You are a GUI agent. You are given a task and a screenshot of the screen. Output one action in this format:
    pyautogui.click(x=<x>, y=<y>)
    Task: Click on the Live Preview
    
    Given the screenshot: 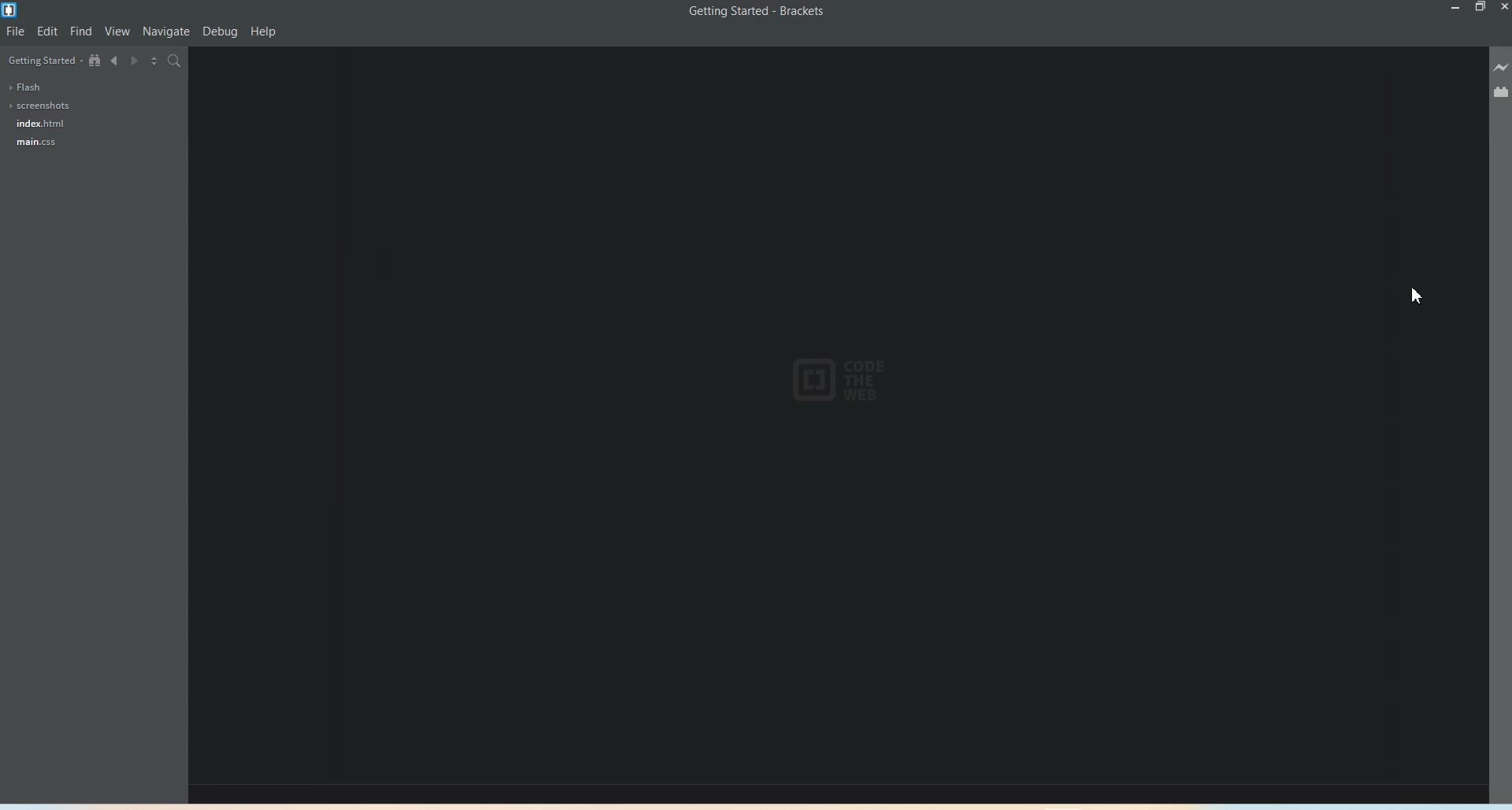 What is the action you would take?
    pyautogui.click(x=1501, y=67)
    